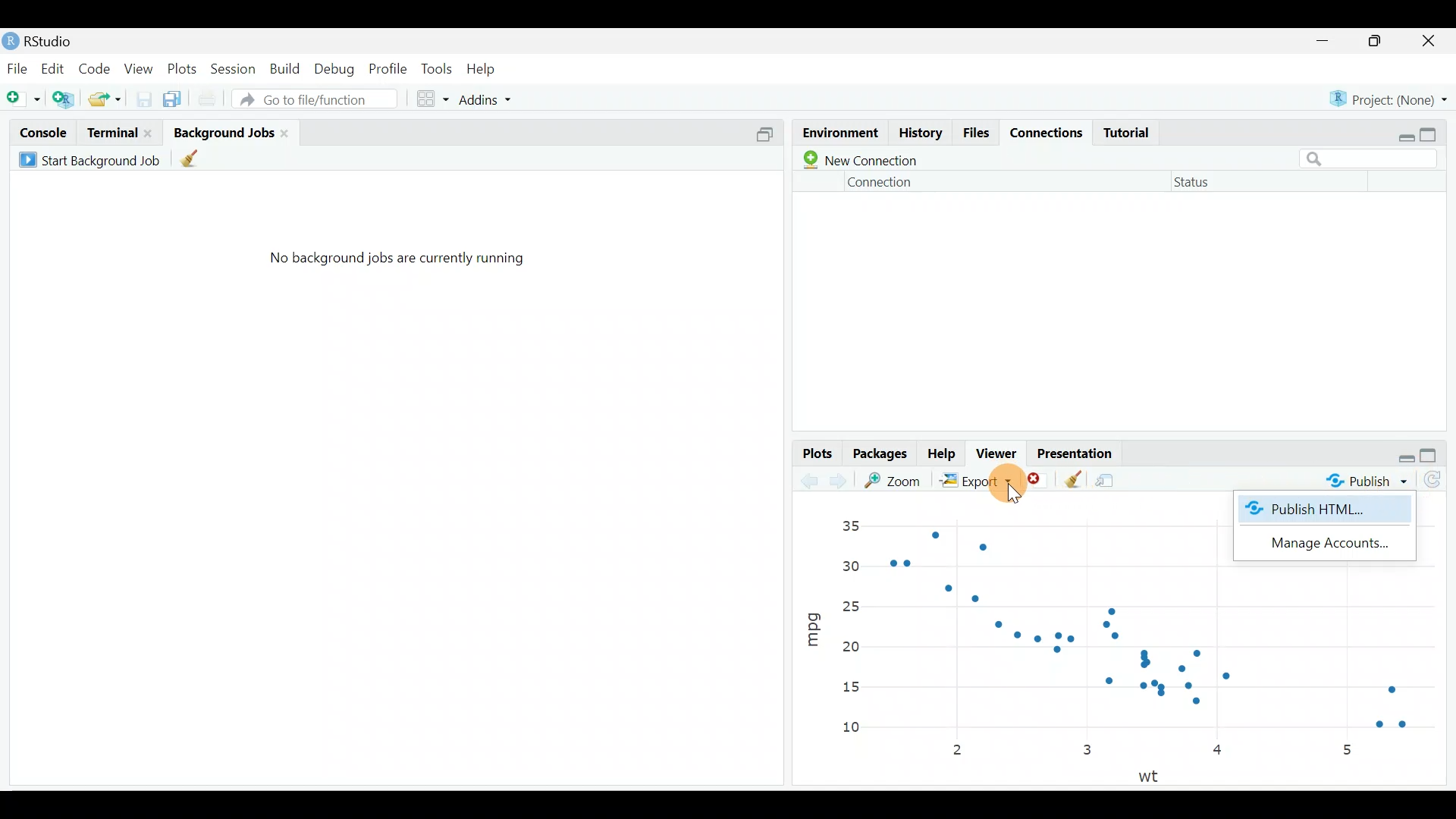 The image size is (1456, 819). What do you see at coordinates (973, 480) in the screenshot?
I see `Export` at bounding box center [973, 480].